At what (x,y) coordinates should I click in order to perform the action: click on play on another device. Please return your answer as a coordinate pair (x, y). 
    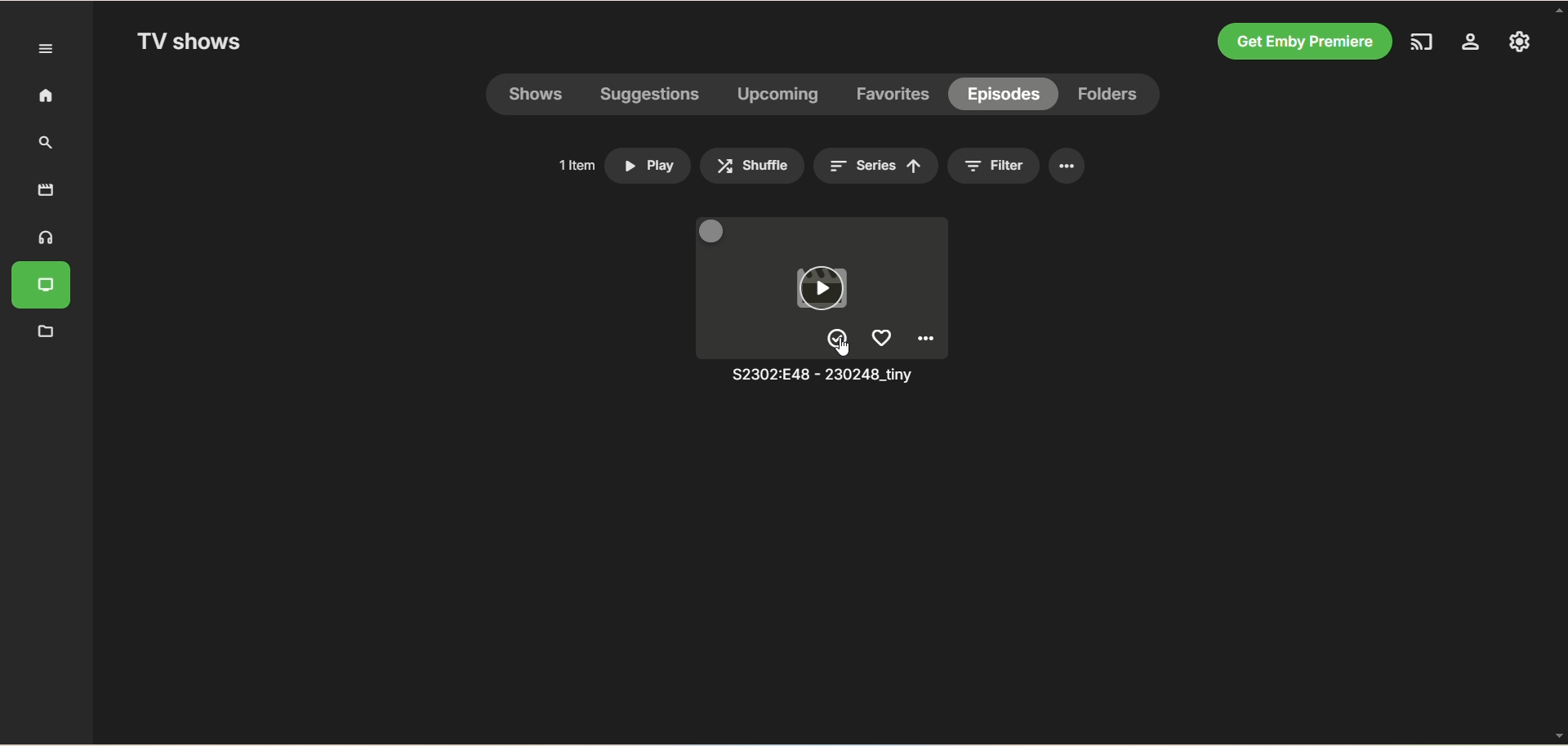
    Looking at the image, I should click on (1428, 44).